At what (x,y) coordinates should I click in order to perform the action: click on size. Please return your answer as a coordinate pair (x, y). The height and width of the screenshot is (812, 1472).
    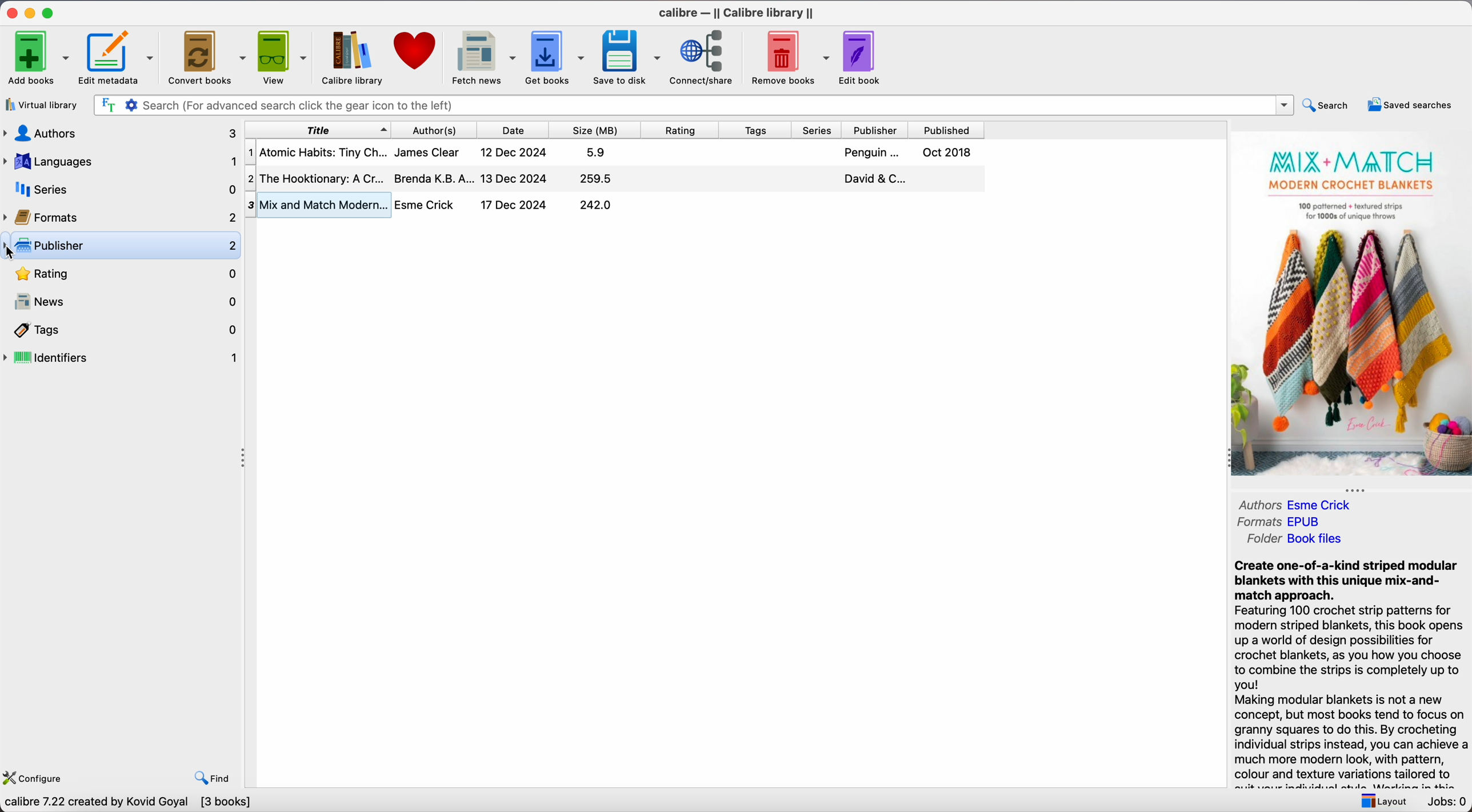
    Looking at the image, I should click on (599, 130).